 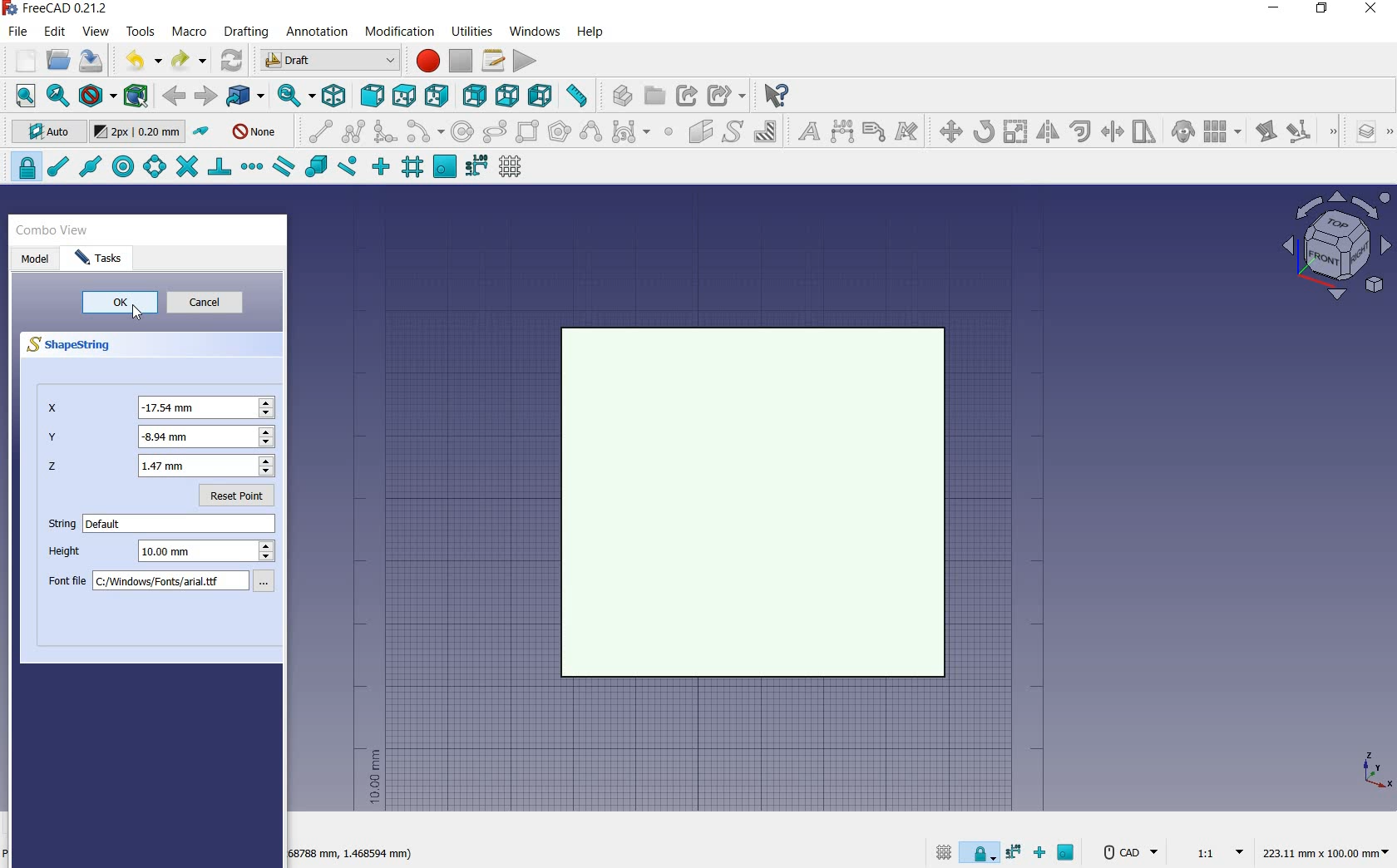 What do you see at coordinates (1181, 133) in the screenshot?
I see `create a clone` at bounding box center [1181, 133].